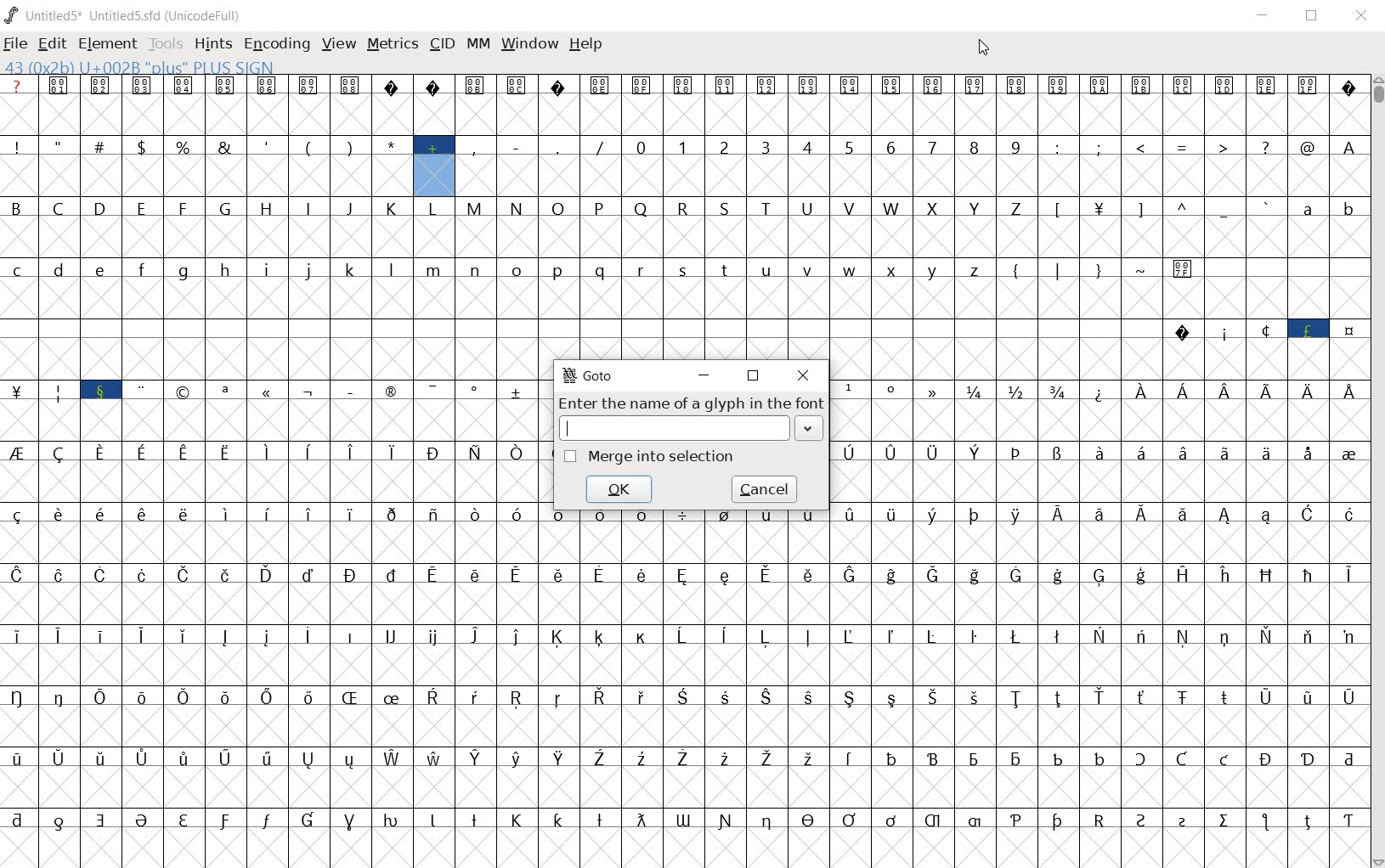 The height and width of the screenshot is (868, 1385). I want to click on mm, so click(478, 45).